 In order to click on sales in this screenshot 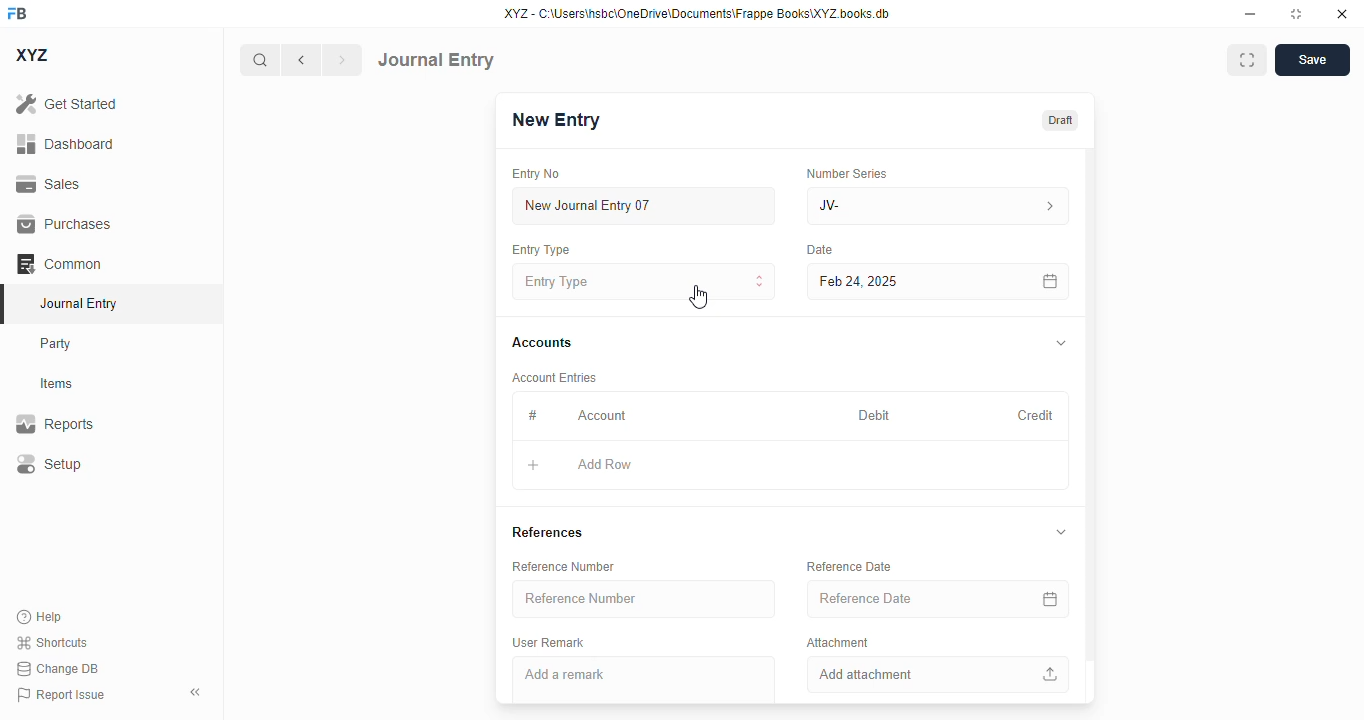, I will do `click(48, 184)`.